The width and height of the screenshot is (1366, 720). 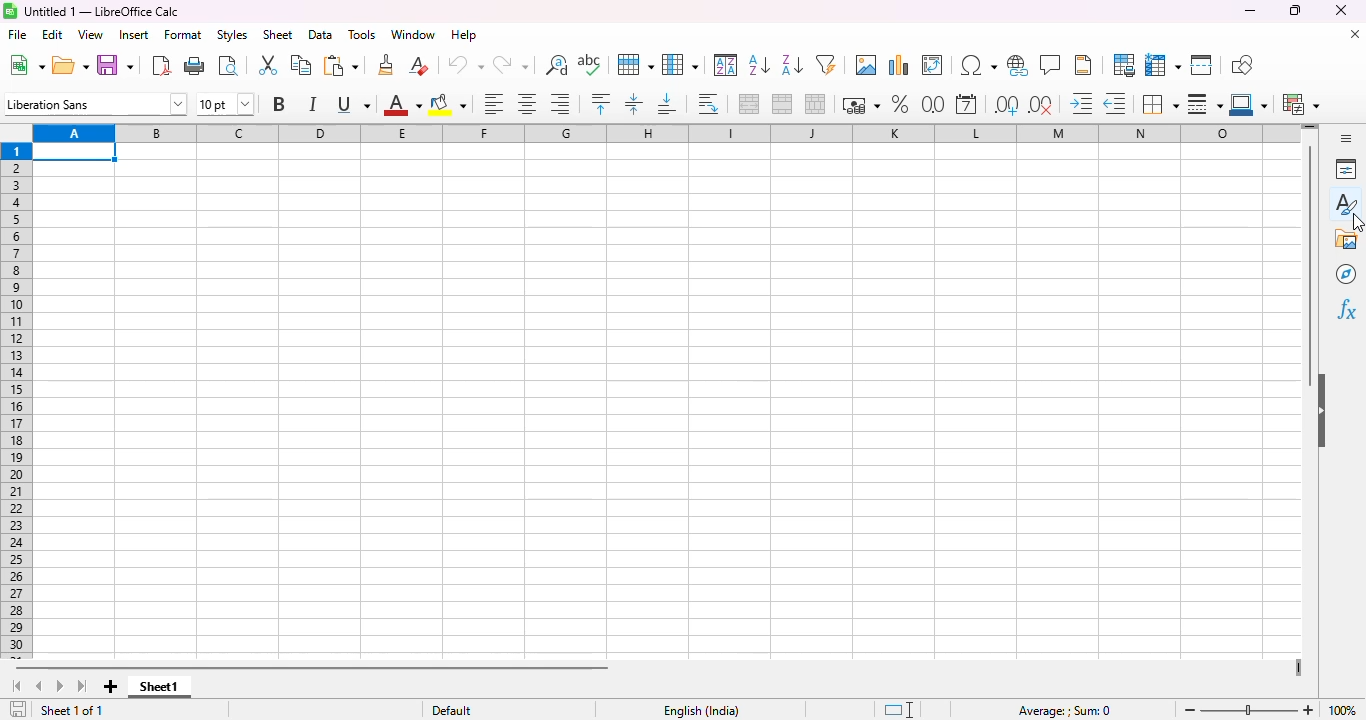 I want to click on data, so click(x=321, y=35).